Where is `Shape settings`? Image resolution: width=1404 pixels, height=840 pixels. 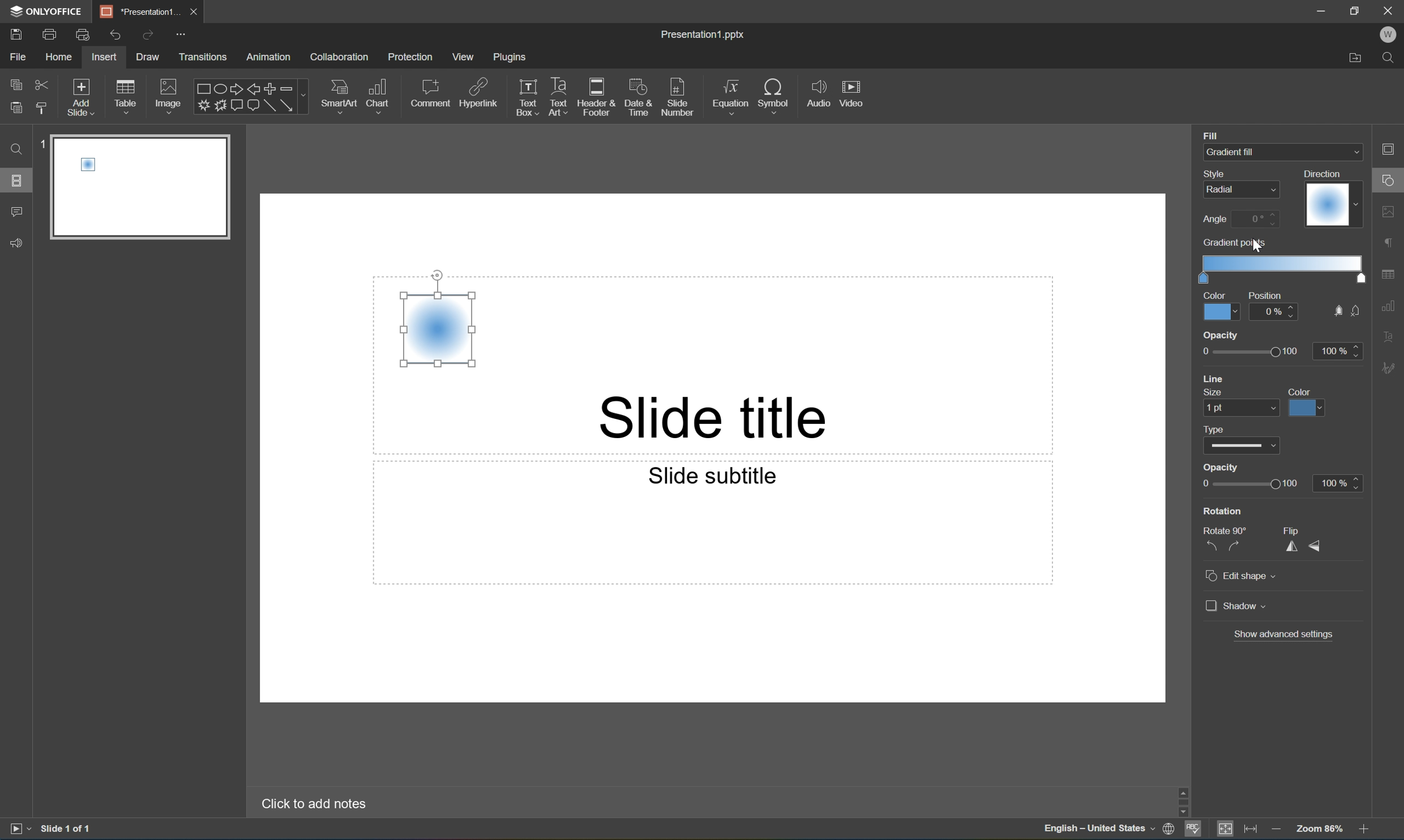 Shape settings is located at coordinates (1393, 179).